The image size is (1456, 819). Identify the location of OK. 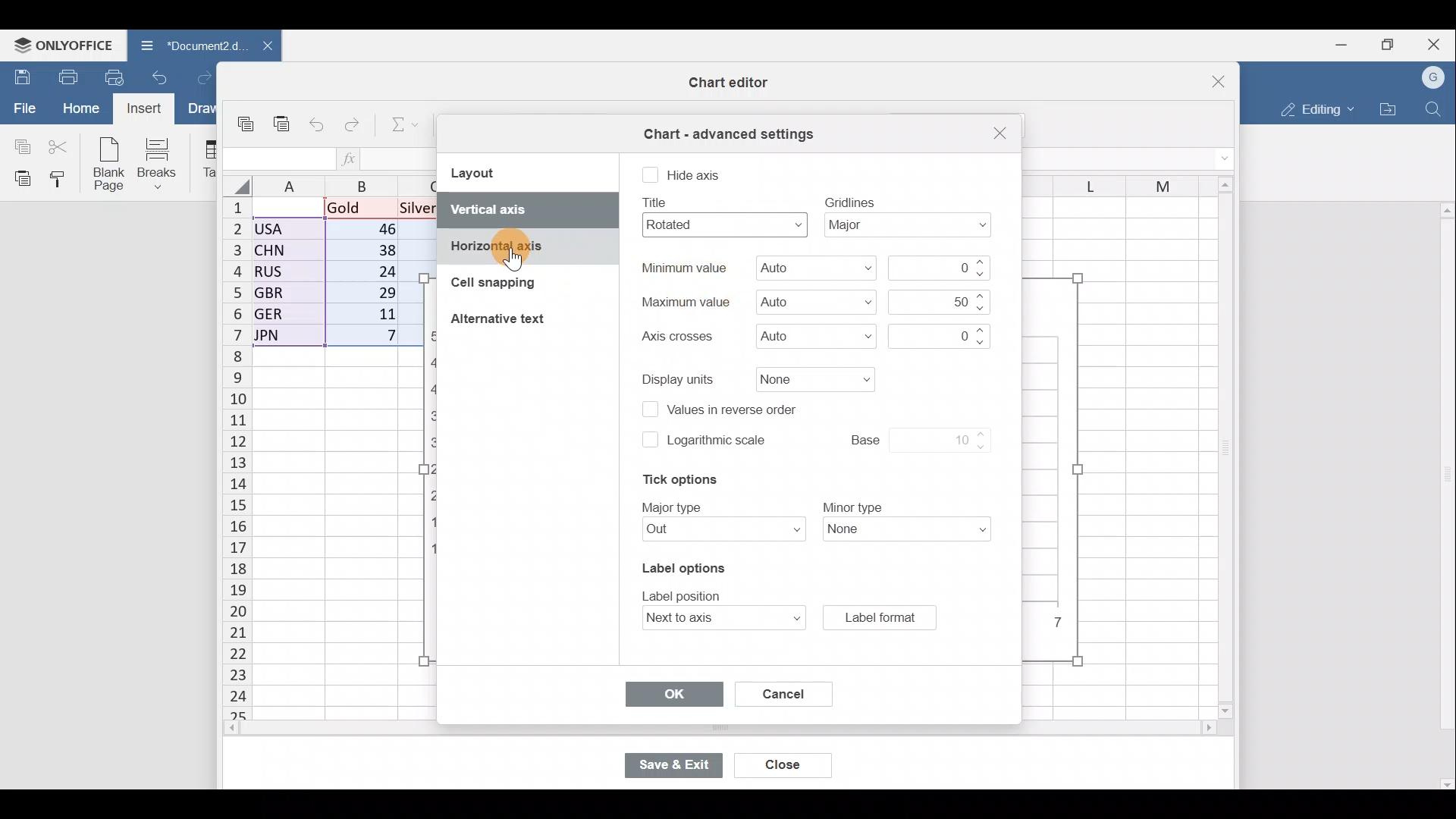
(670, 694).